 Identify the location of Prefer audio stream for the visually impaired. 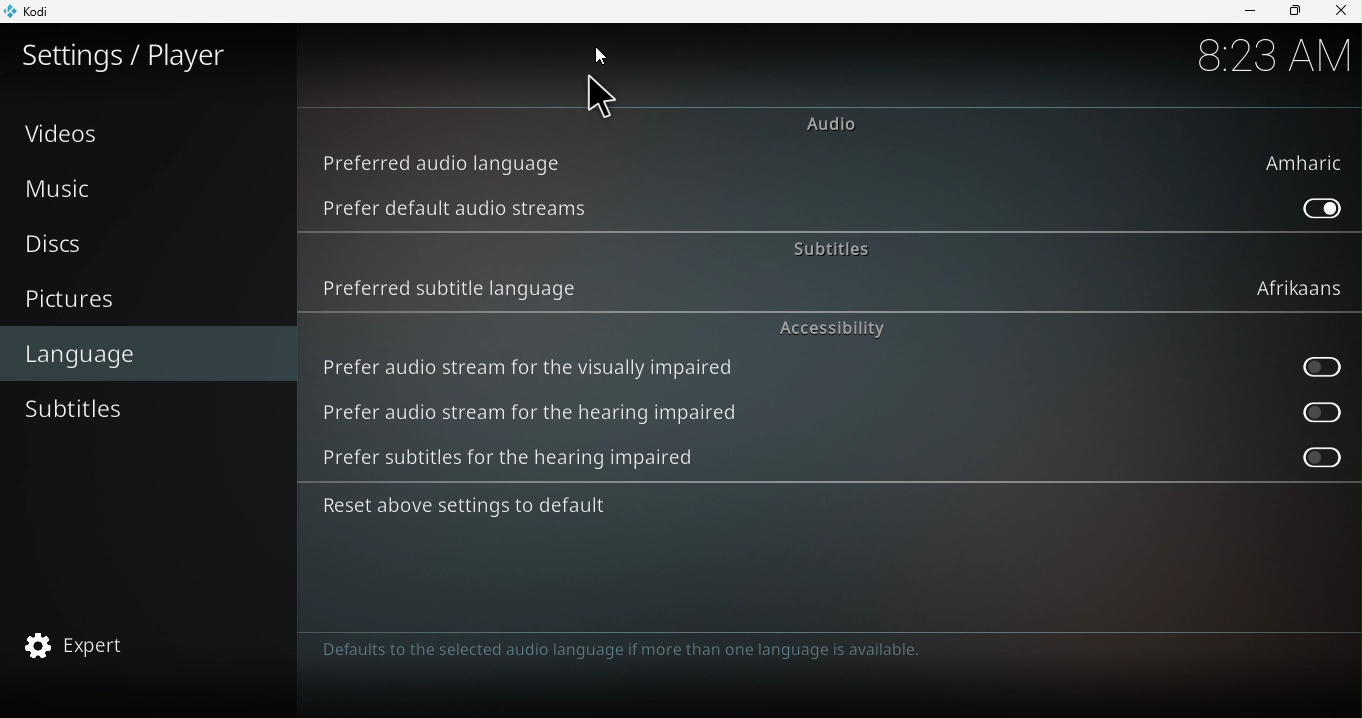
(533, 365).